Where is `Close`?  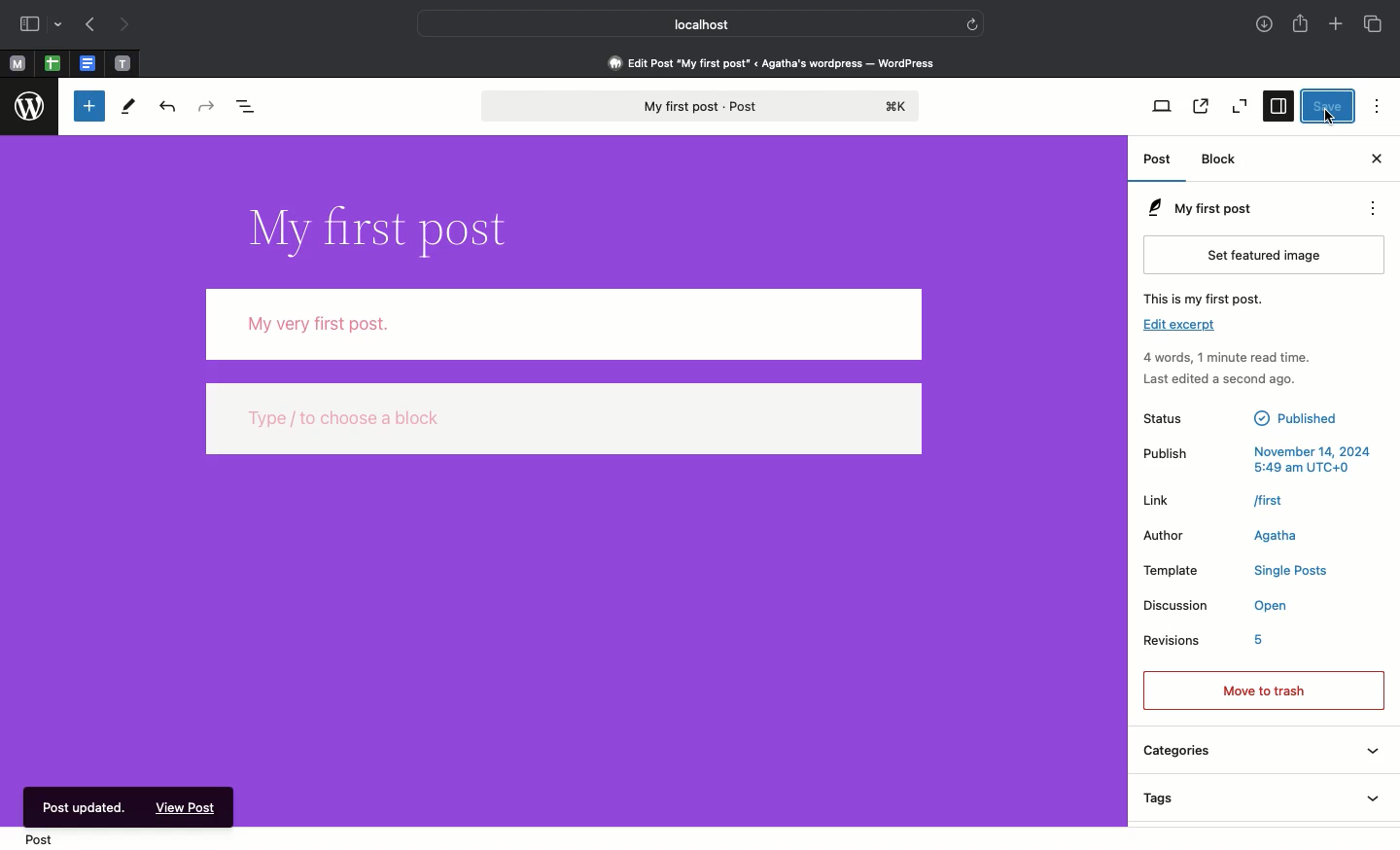
Close is located at coordinates (1375, 159).